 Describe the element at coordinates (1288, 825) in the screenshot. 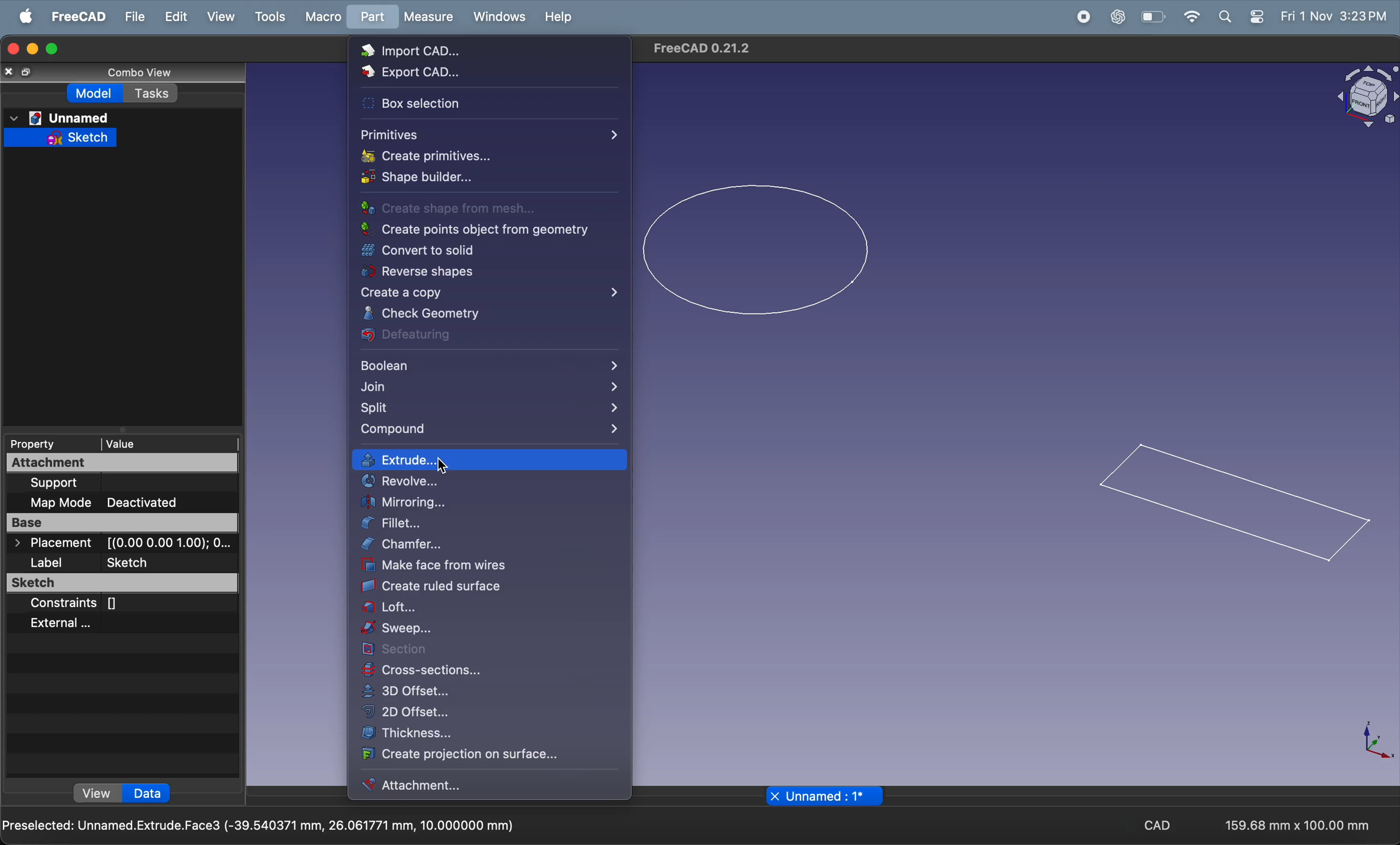

I see `159.68 mm x 100.00 mm` at that location.